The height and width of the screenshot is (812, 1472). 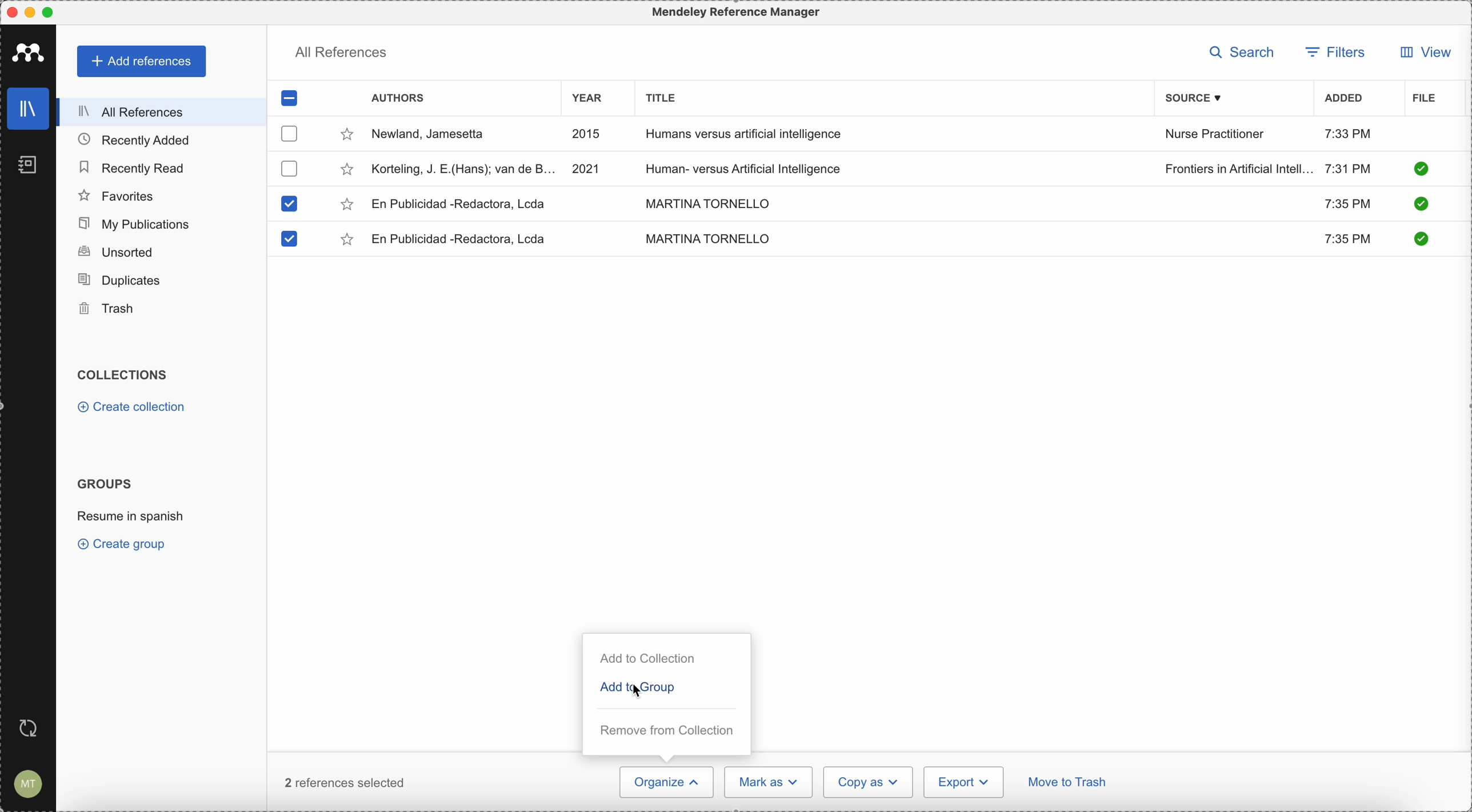 What do you see at coordinates (1238, 169) in the screenshot?
I see `Frontiers in Artificial Intelligence` at bounding box center [1238, 169].